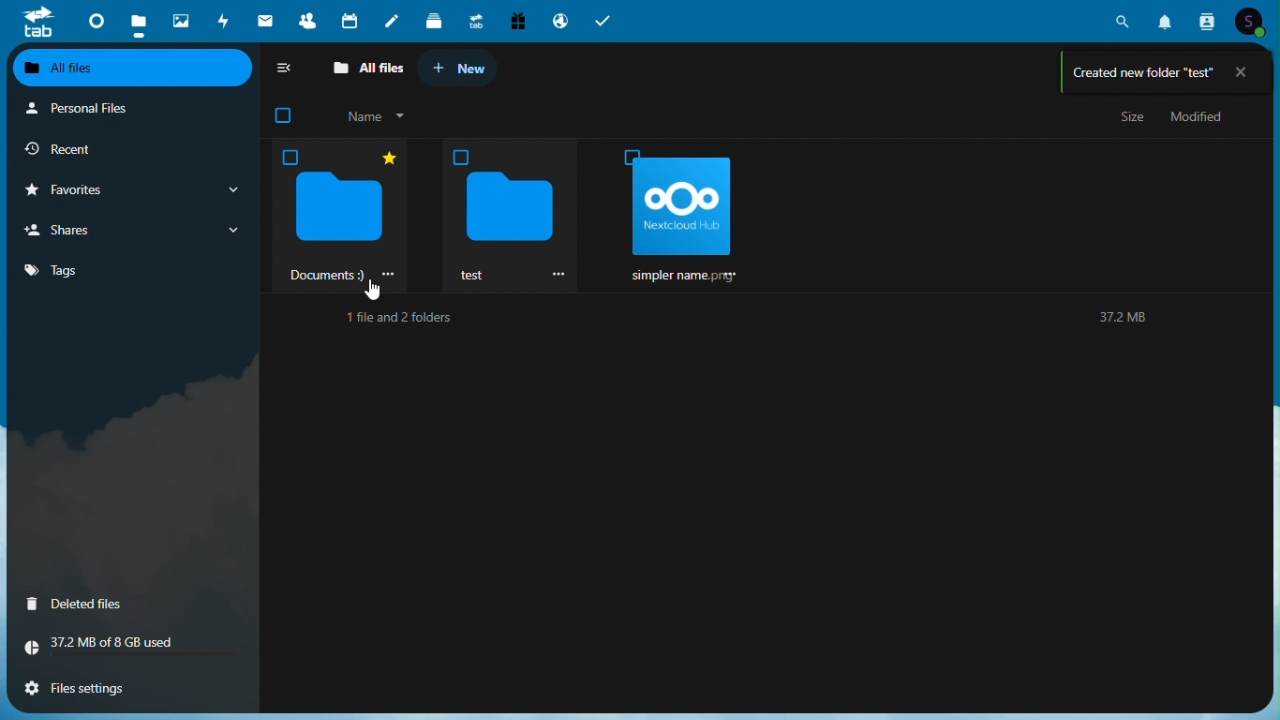 This screenshot has height=720, width=1280. I want to click on Email hosting, so click(561, 19).